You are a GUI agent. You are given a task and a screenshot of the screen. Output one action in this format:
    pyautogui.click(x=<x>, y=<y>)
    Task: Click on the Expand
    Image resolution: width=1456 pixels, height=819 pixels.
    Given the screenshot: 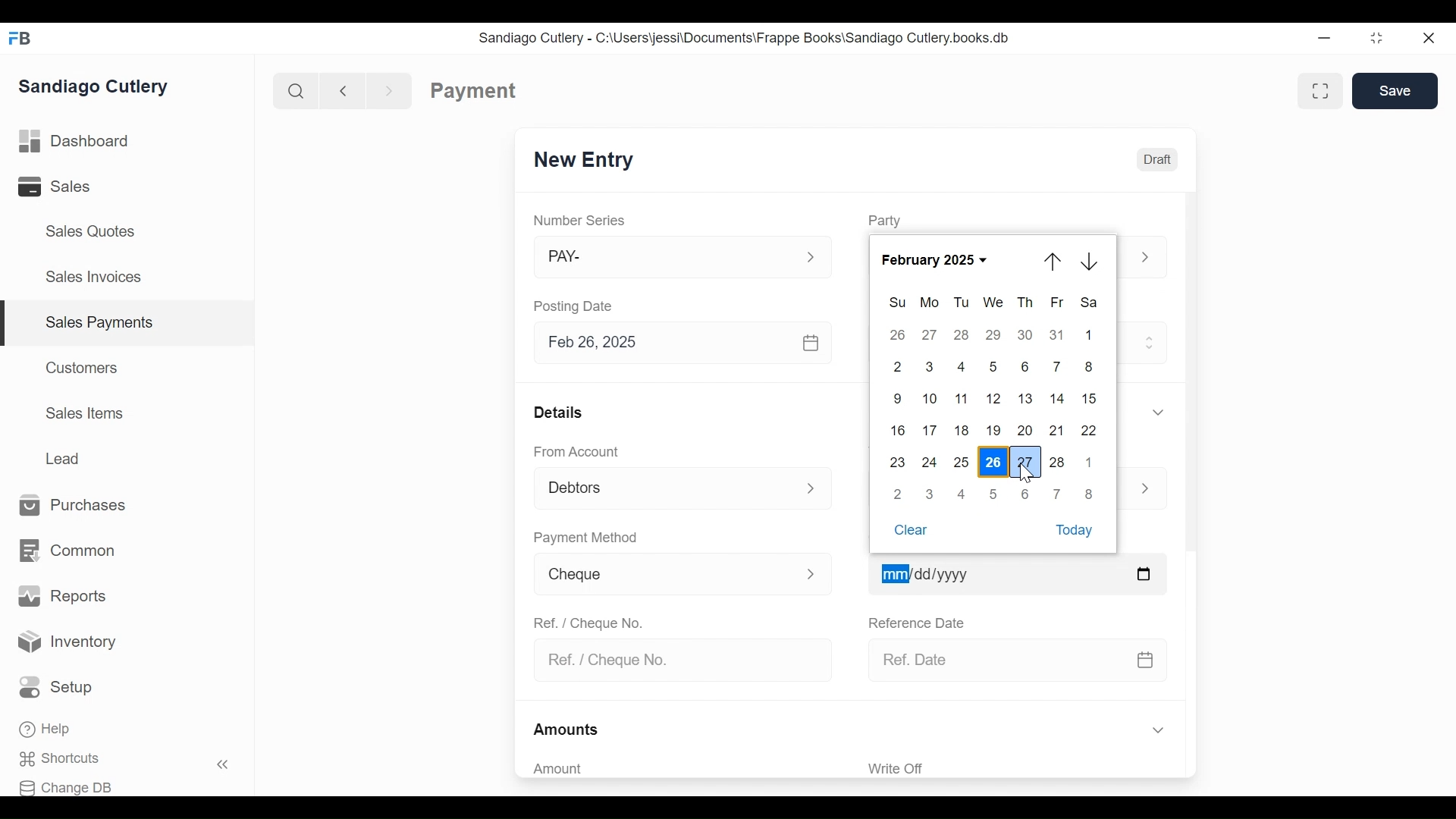 What is the action you would take?
    pyautogui.click(x=1144, y=489)
    